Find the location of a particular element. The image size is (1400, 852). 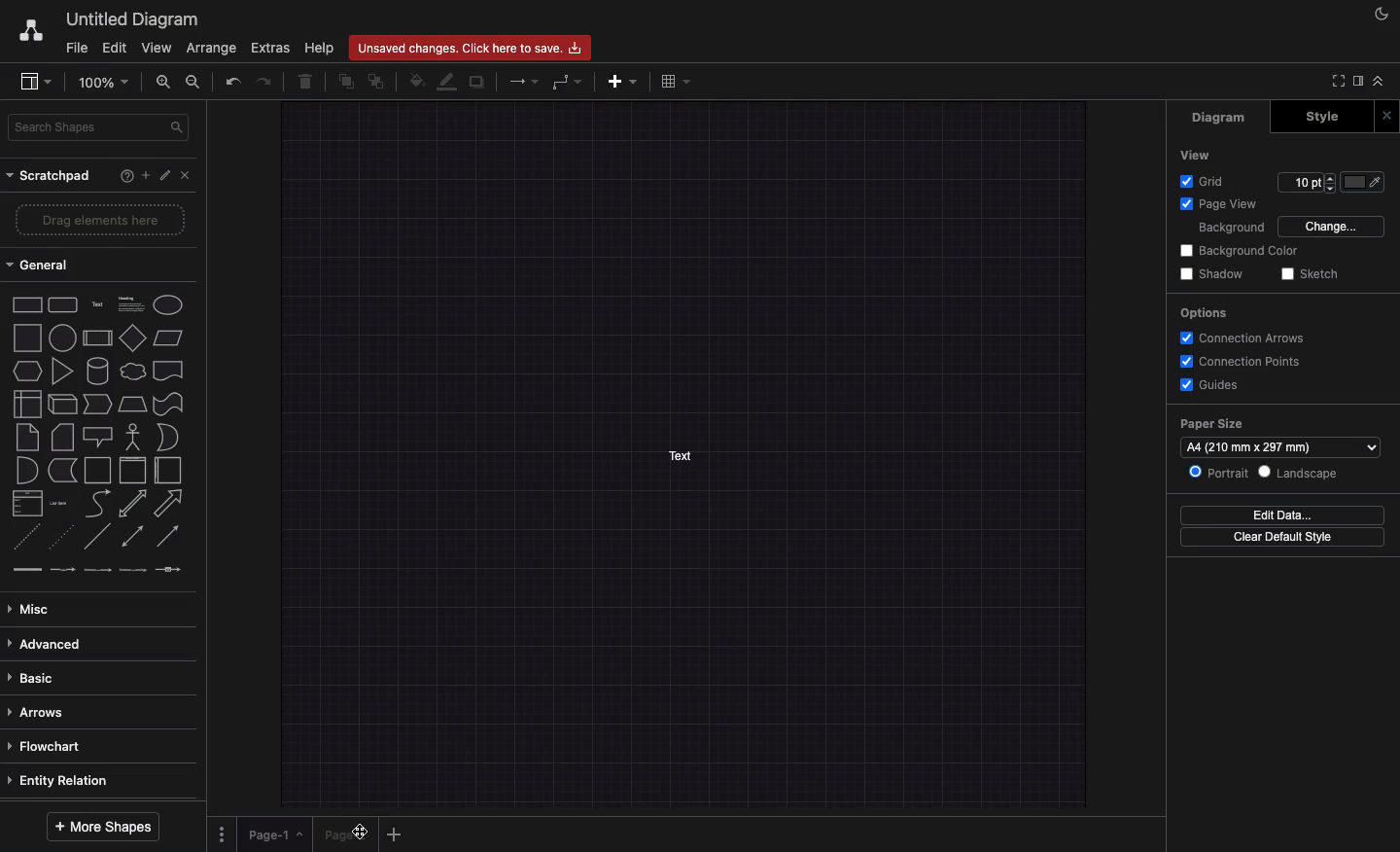

Close is located at coordinates (188, 178).